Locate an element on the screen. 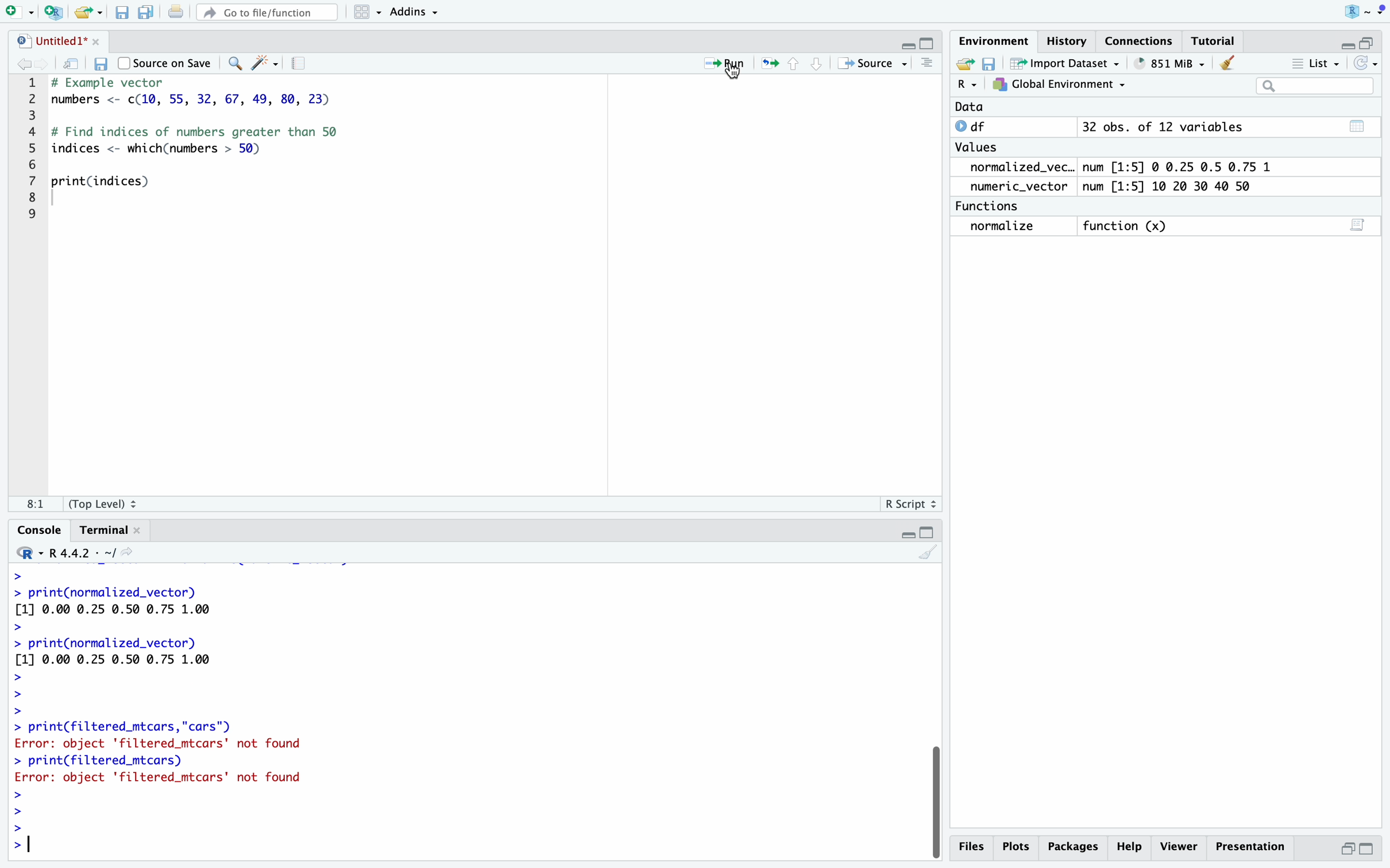 This screenshot has width=1390, height=868. List  is located at coordinates (1317, 63).